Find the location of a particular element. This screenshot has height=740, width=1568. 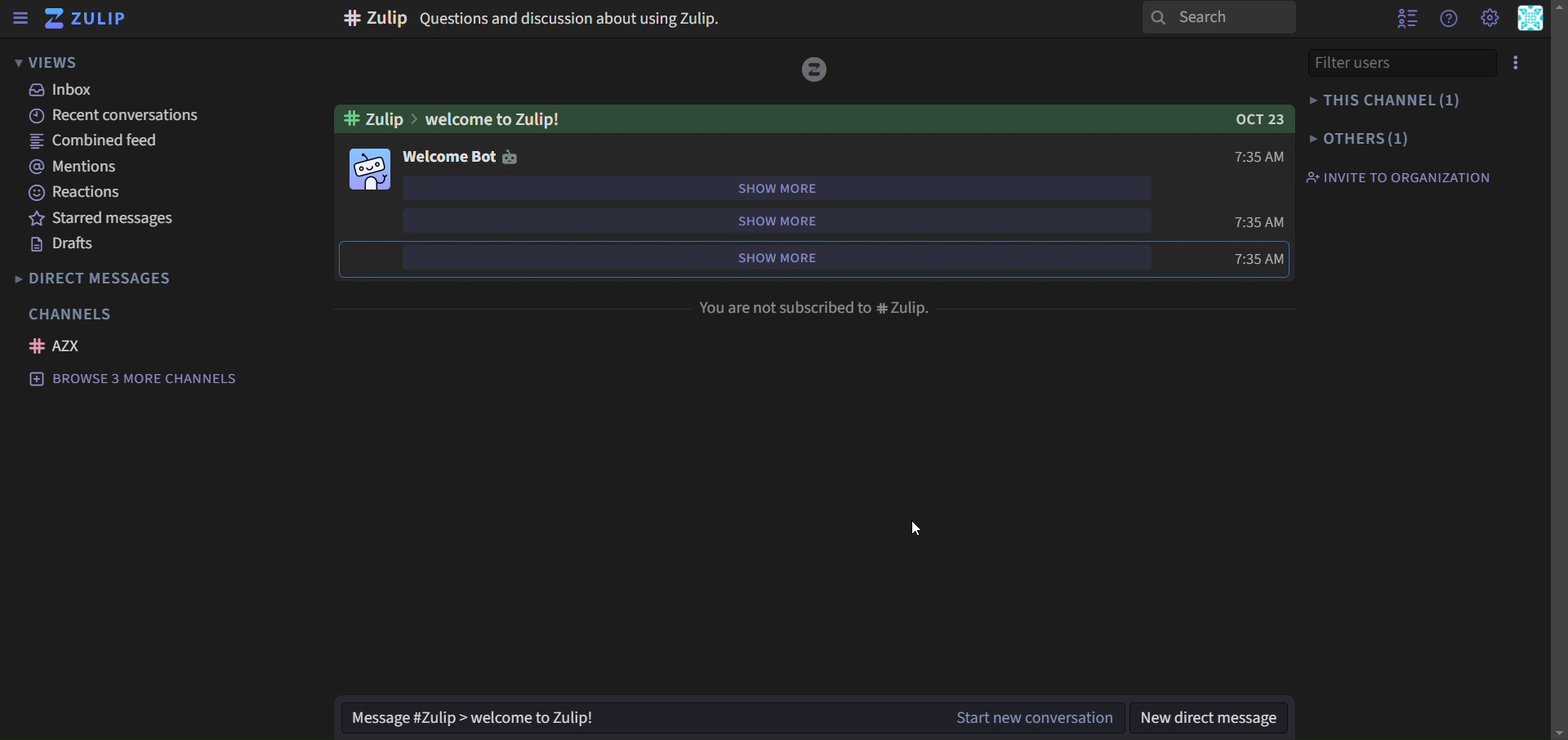

channels is located at coordinates (74, 314).